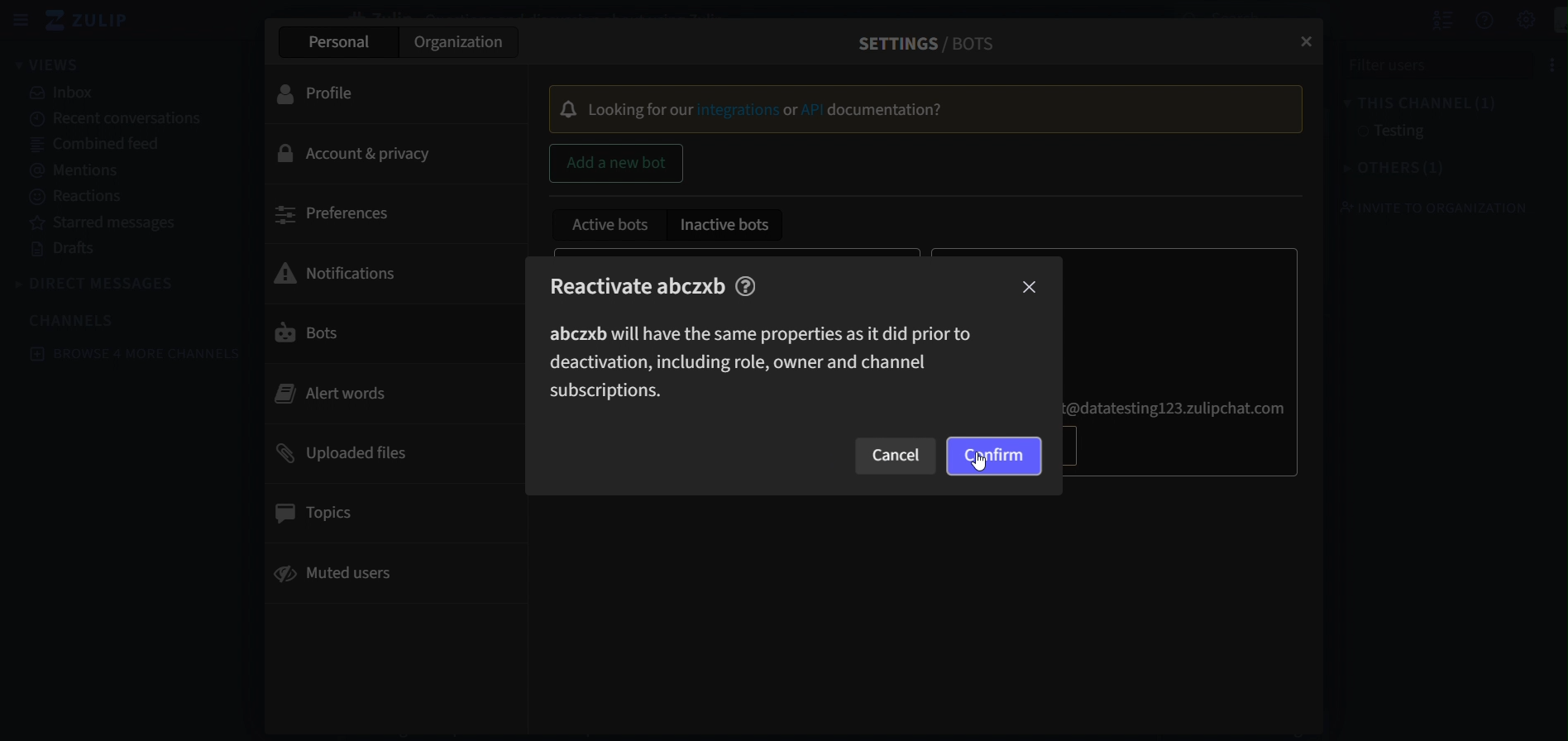 This screenshot has height=741, width=1568. I want to click on zulip, so click(95, 22).